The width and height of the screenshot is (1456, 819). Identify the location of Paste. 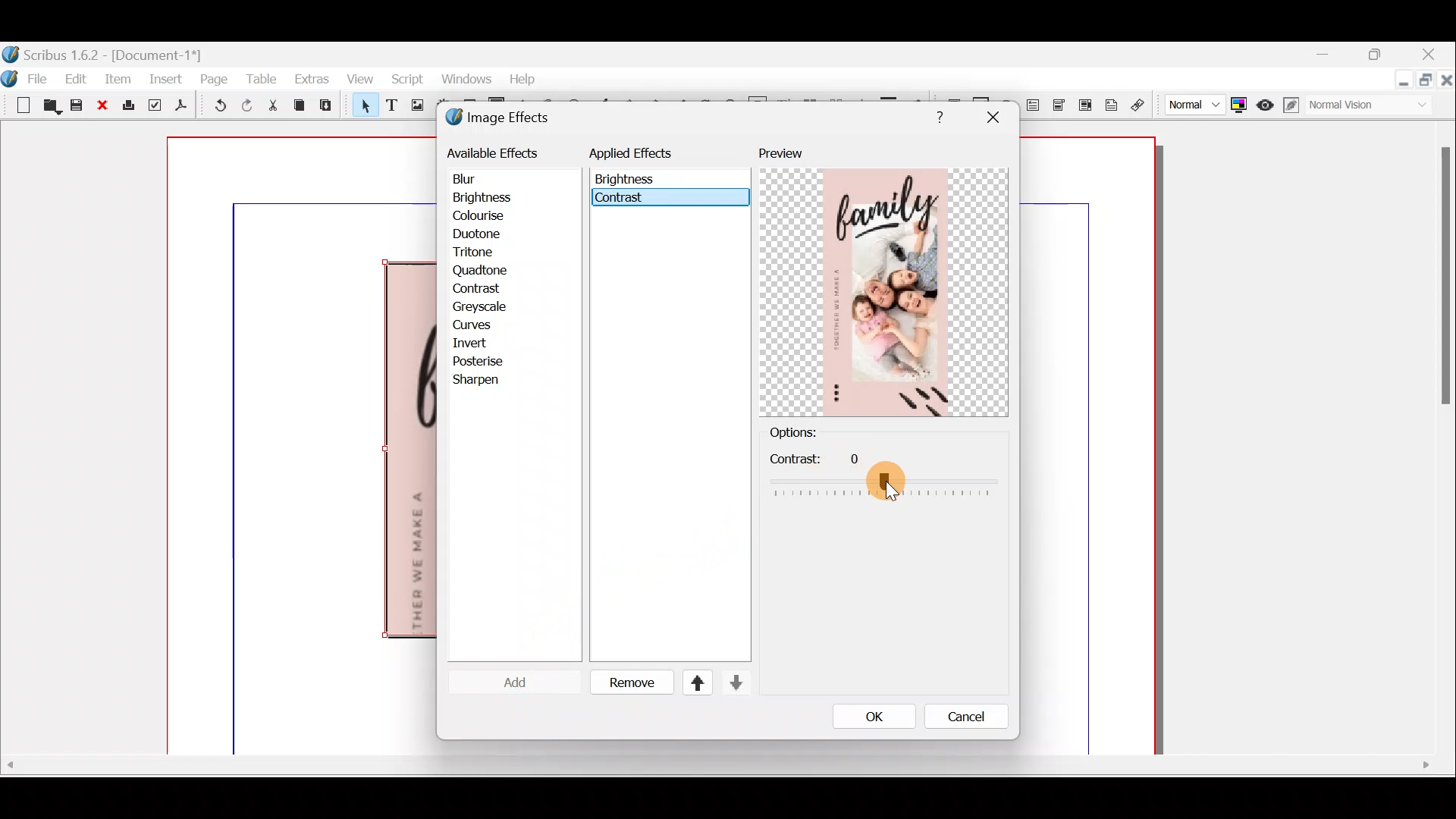
(329, 107).